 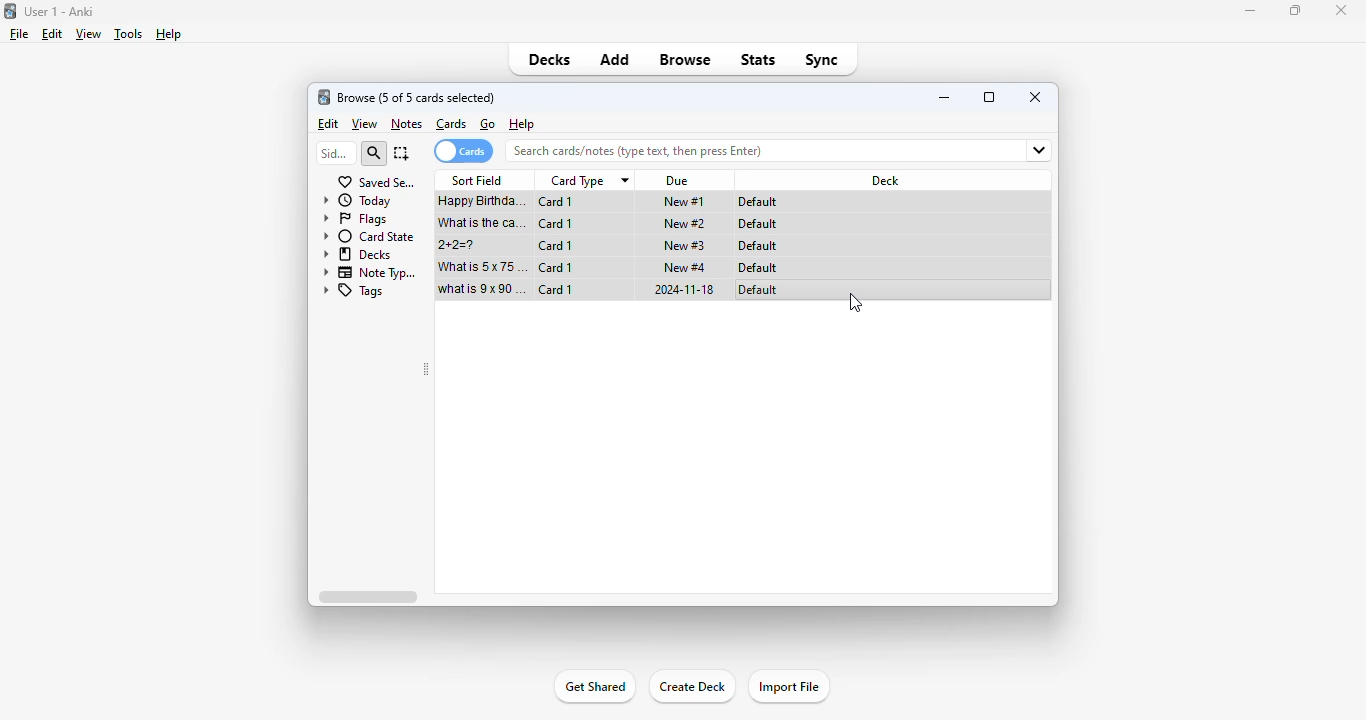 What do you see at coordinates (53, 34) in the screenshot?
I see `edit` at bounding box center [53, 34].